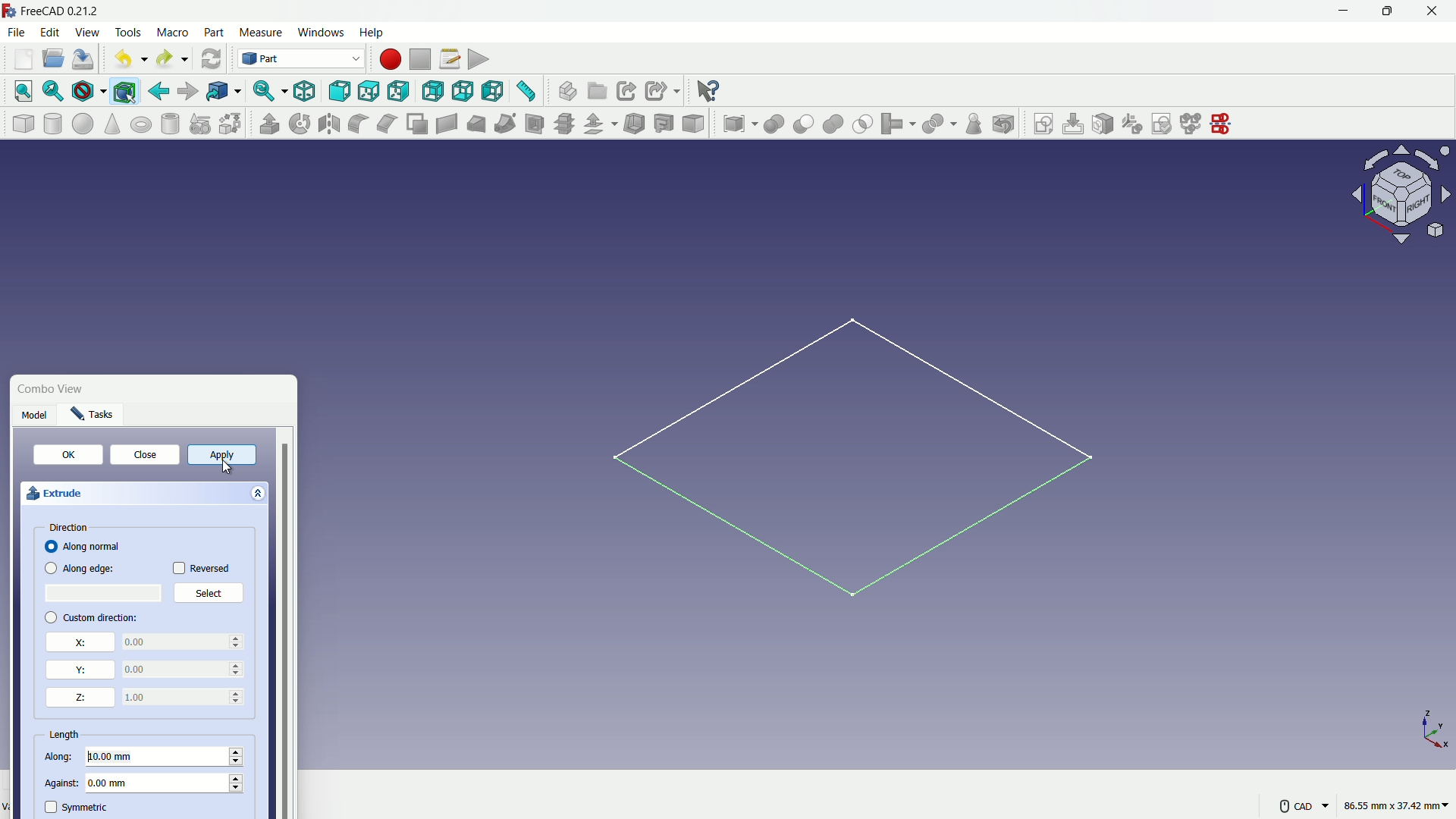  I want to click on extrude, so click(143, 494).